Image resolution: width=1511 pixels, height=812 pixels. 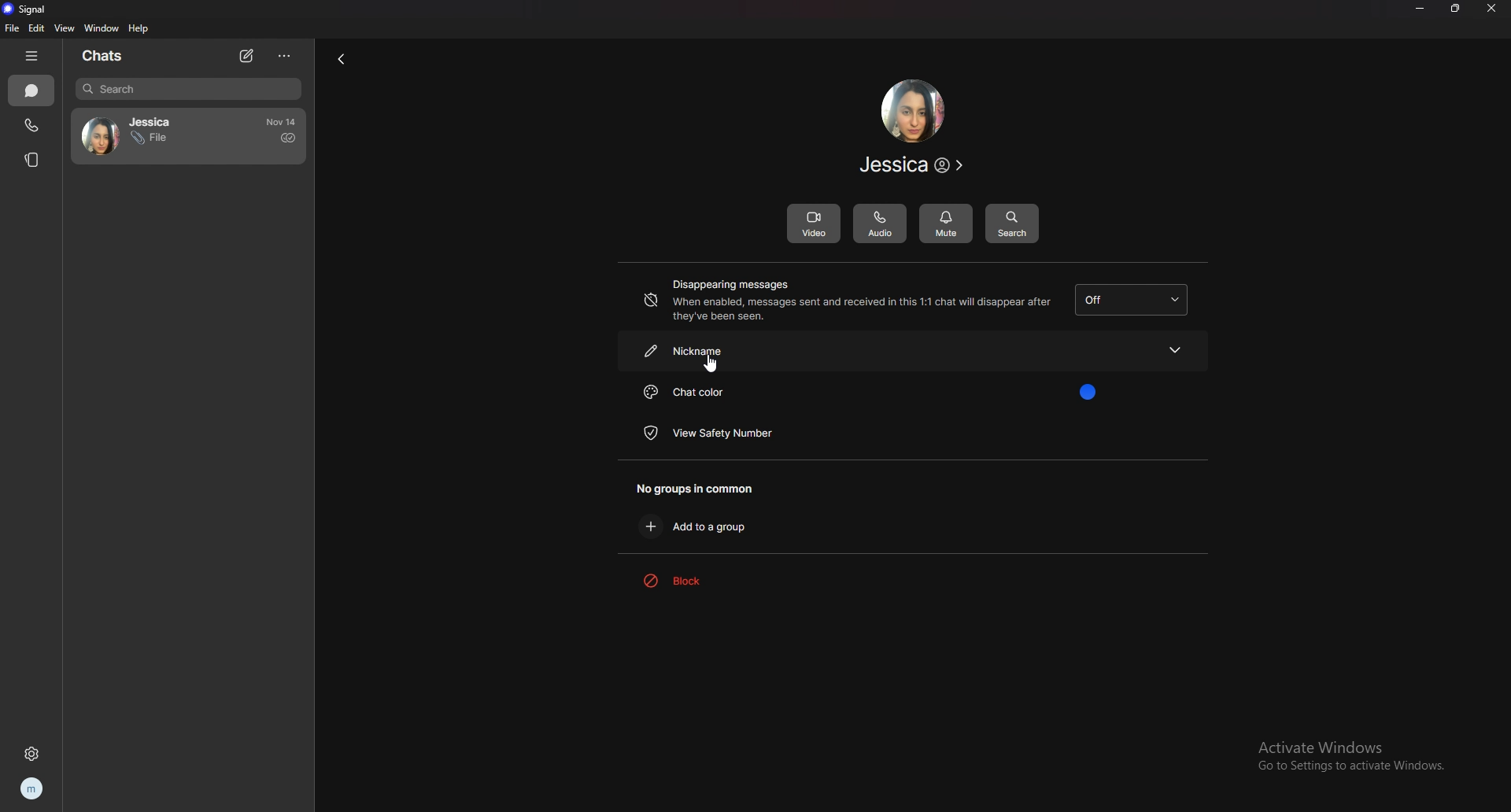 What do you see at coordinates (844, 301) in the screenshot?
I see `disappearing messages` at bounding box center [844, 301].